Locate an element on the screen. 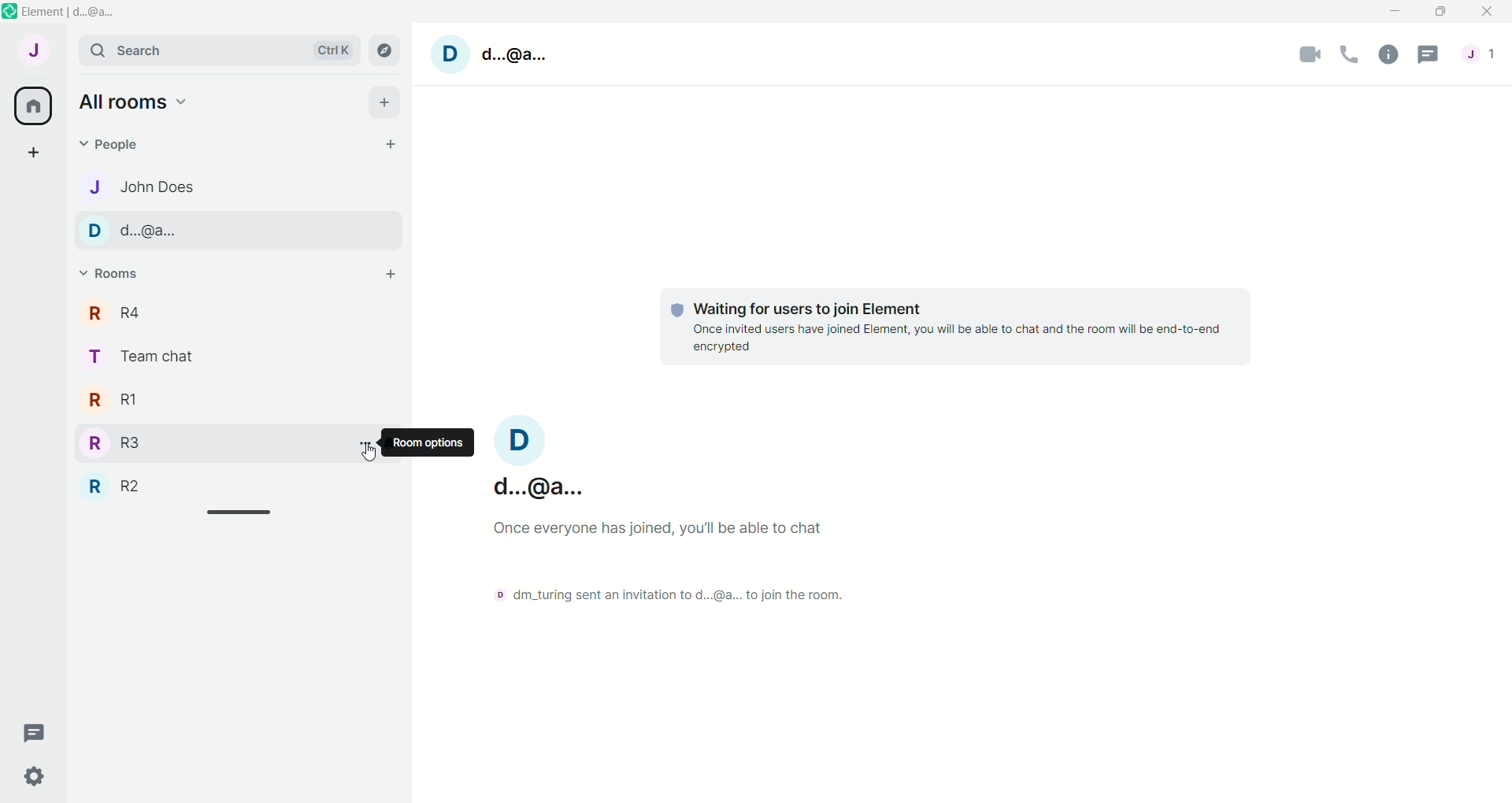 This screenshot has width=1512, height=803. rooms is located at coordinates (109, 273).